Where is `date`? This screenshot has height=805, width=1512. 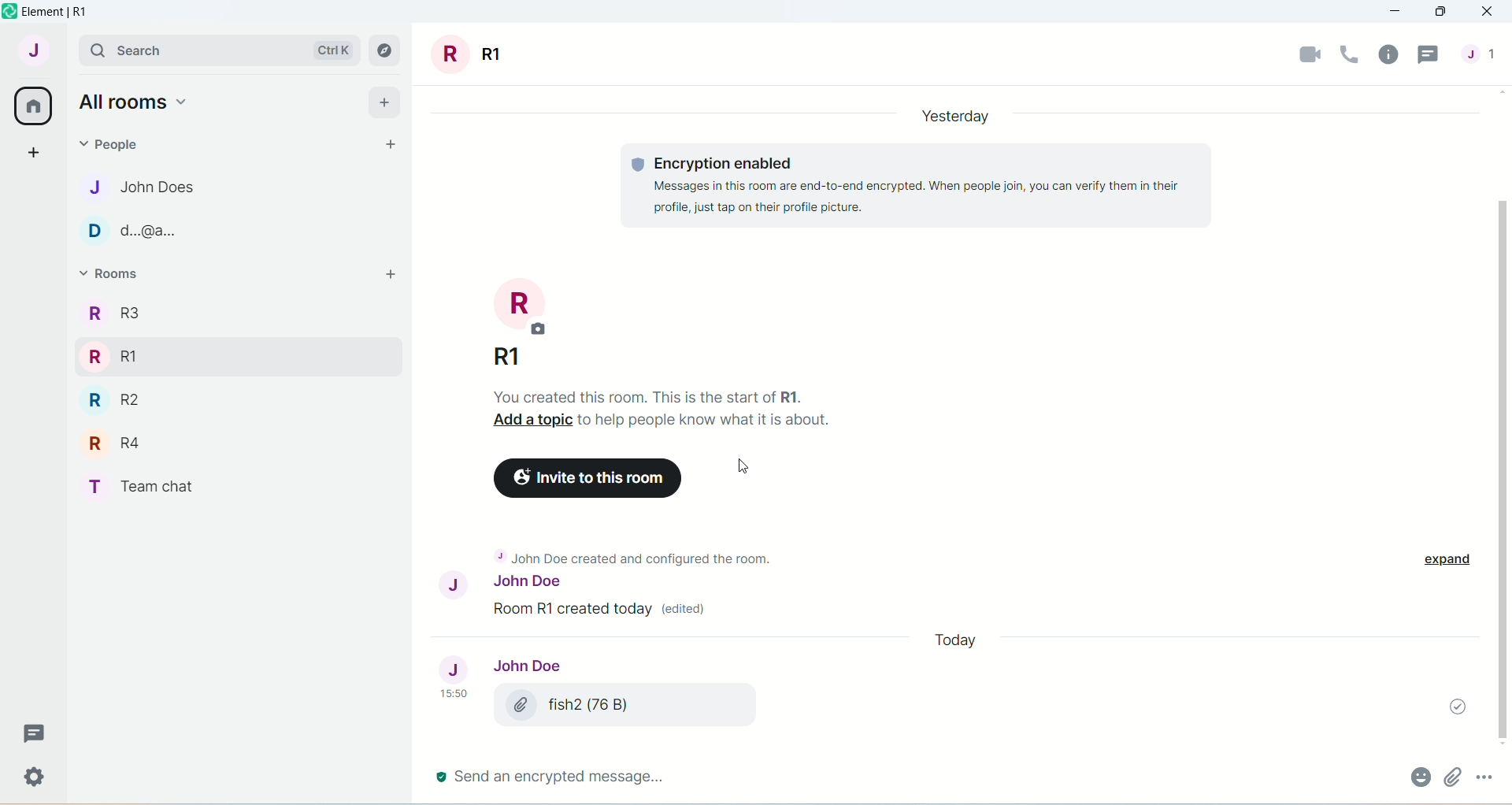 date is located at coordinates (952, 646).